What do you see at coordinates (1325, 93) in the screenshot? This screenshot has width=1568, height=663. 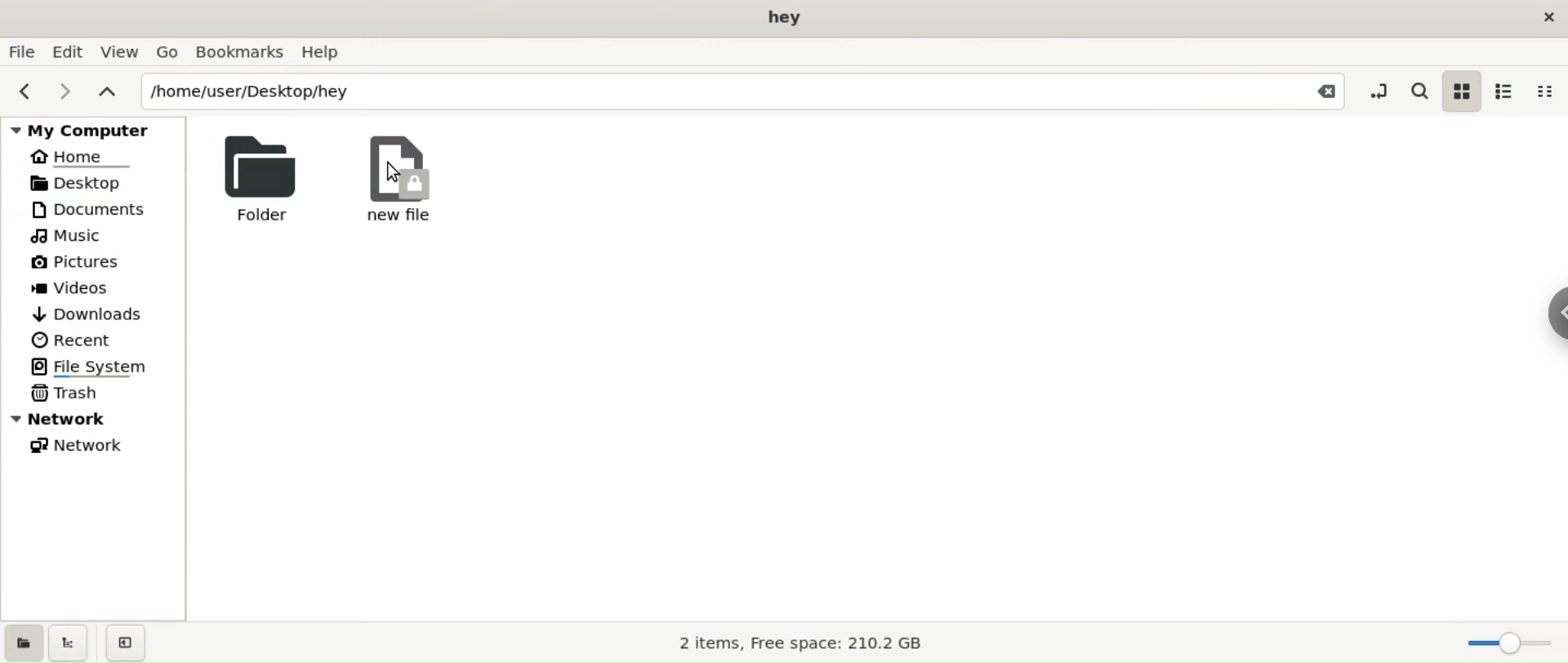 I see `Close` at bounding box center [1325, 93].